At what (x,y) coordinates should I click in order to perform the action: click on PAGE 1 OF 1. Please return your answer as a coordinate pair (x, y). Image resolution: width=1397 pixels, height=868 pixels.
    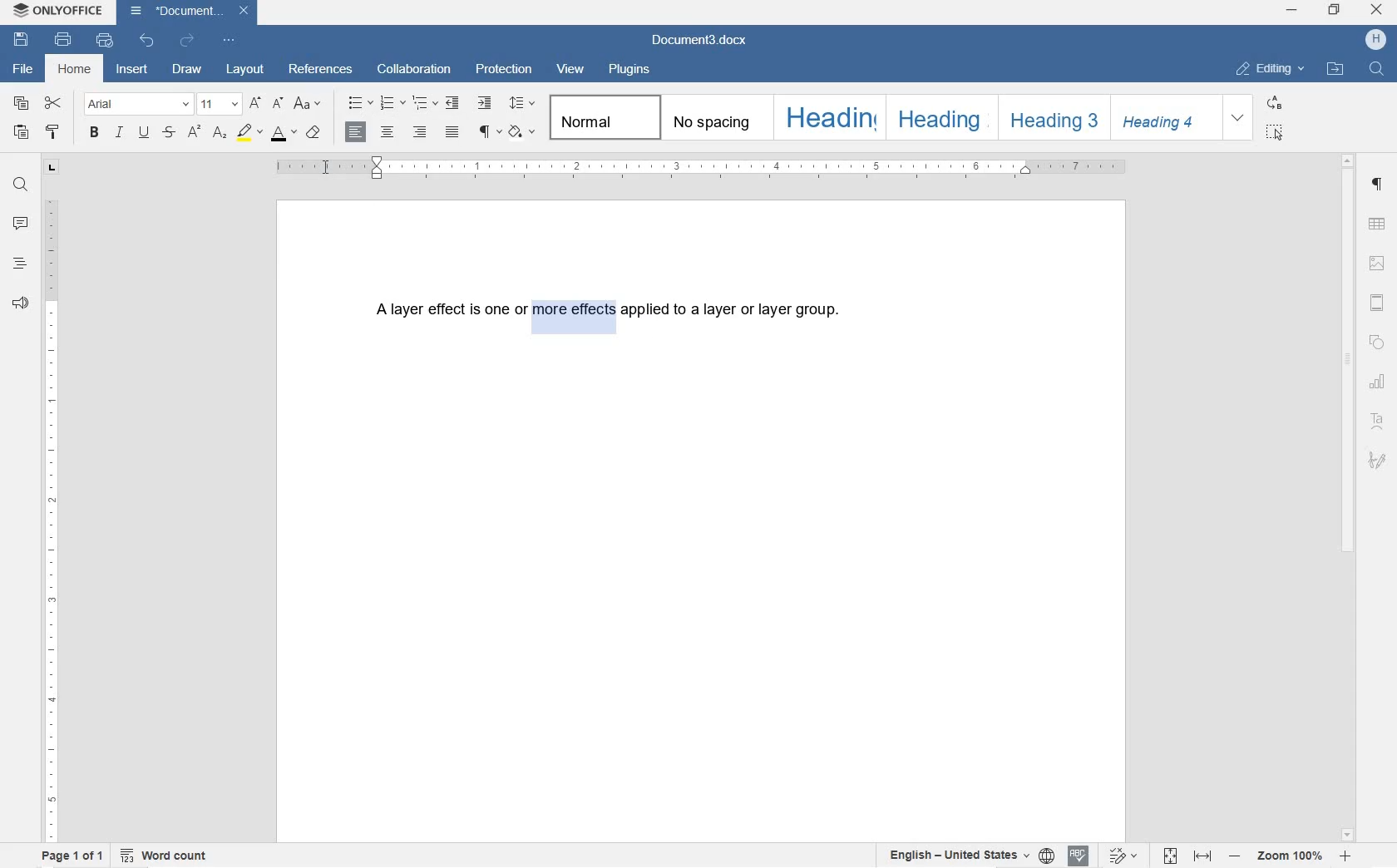
    Looking at the image, I should click on (72, 856).